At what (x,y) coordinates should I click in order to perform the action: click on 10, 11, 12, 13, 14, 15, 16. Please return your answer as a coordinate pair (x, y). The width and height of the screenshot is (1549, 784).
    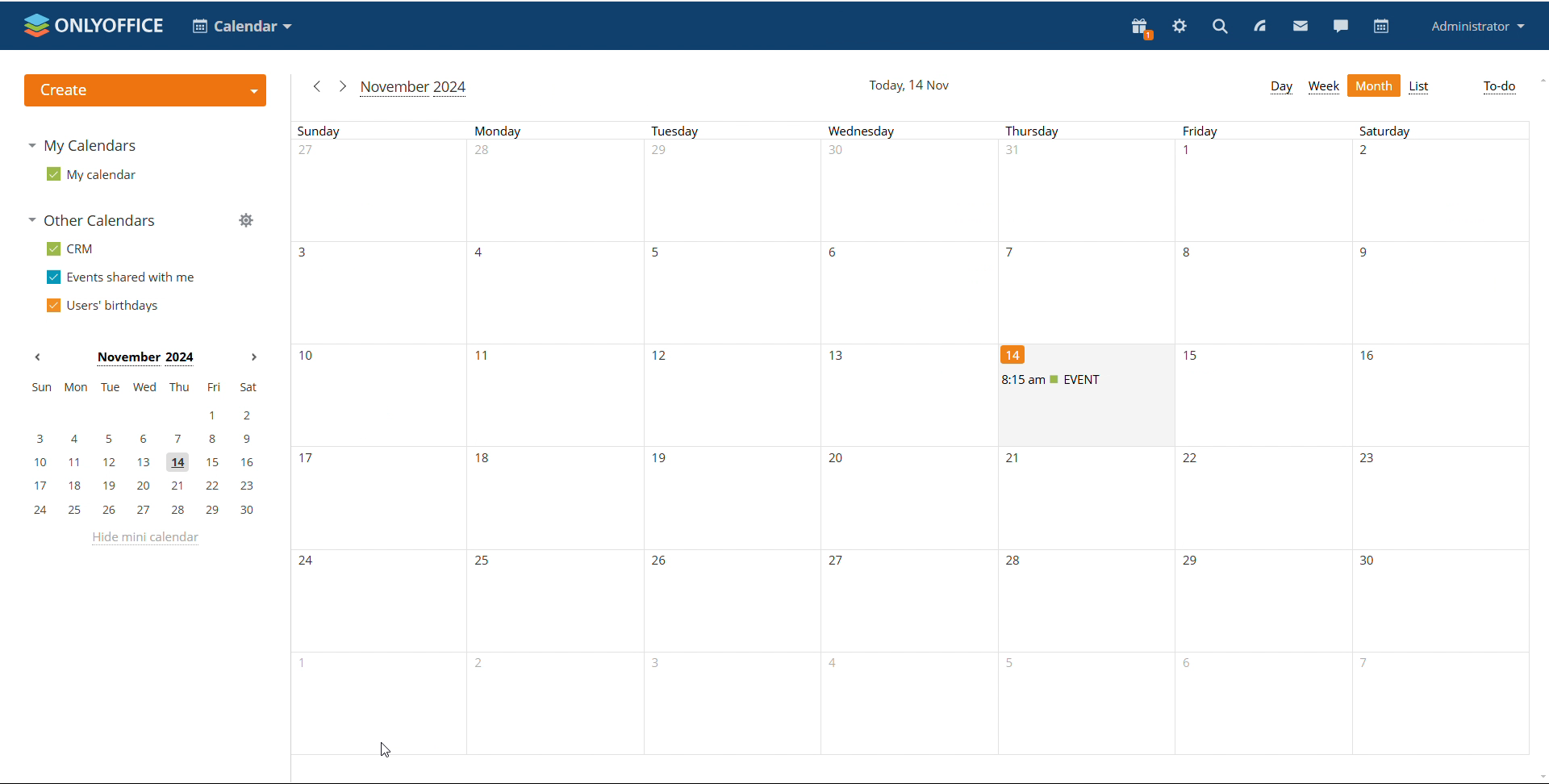
    Looking at the image, I should click on (144, 463).